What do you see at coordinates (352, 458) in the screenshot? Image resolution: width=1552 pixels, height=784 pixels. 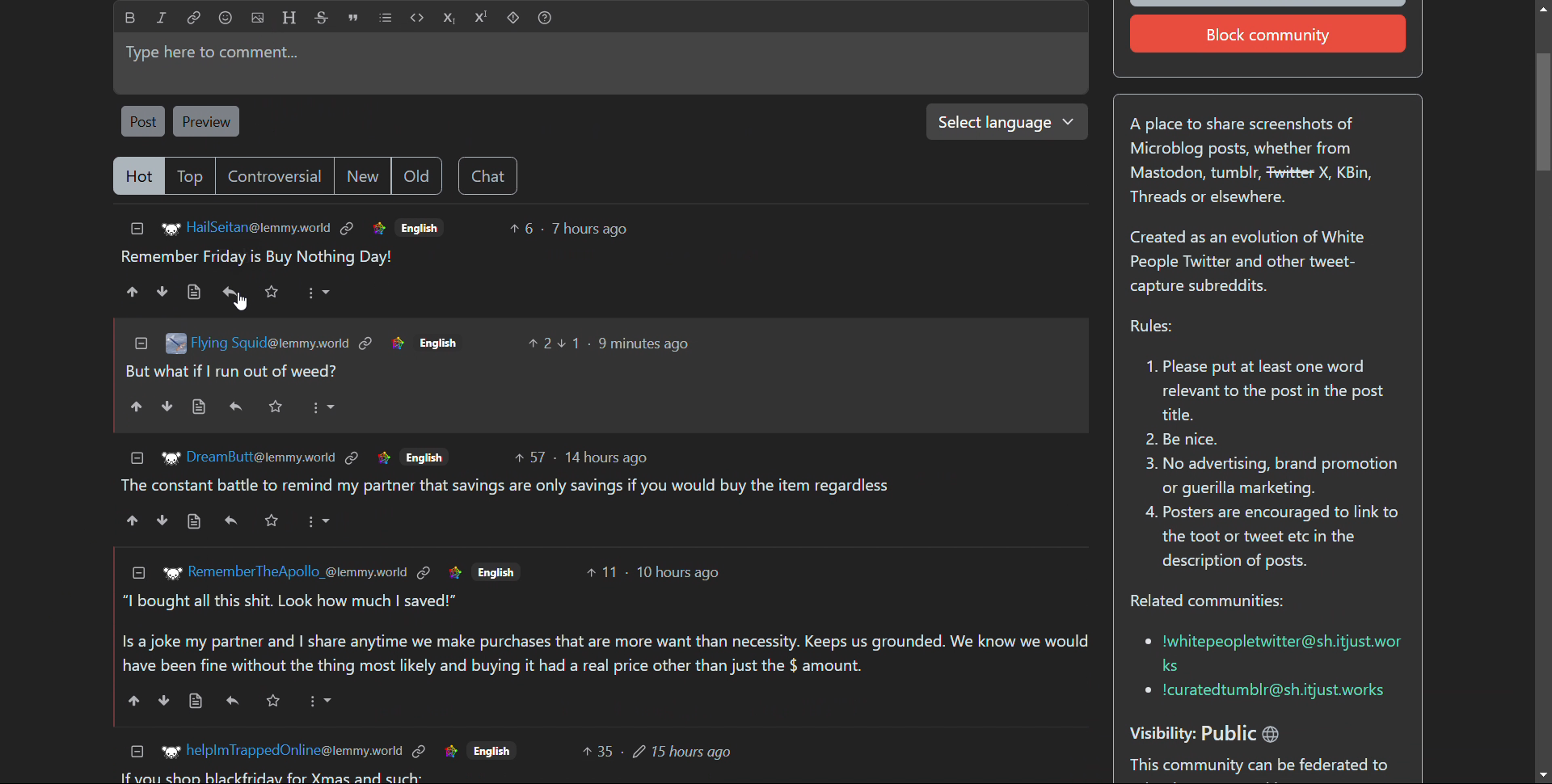 I see `link` at bounding box center [352, 458].